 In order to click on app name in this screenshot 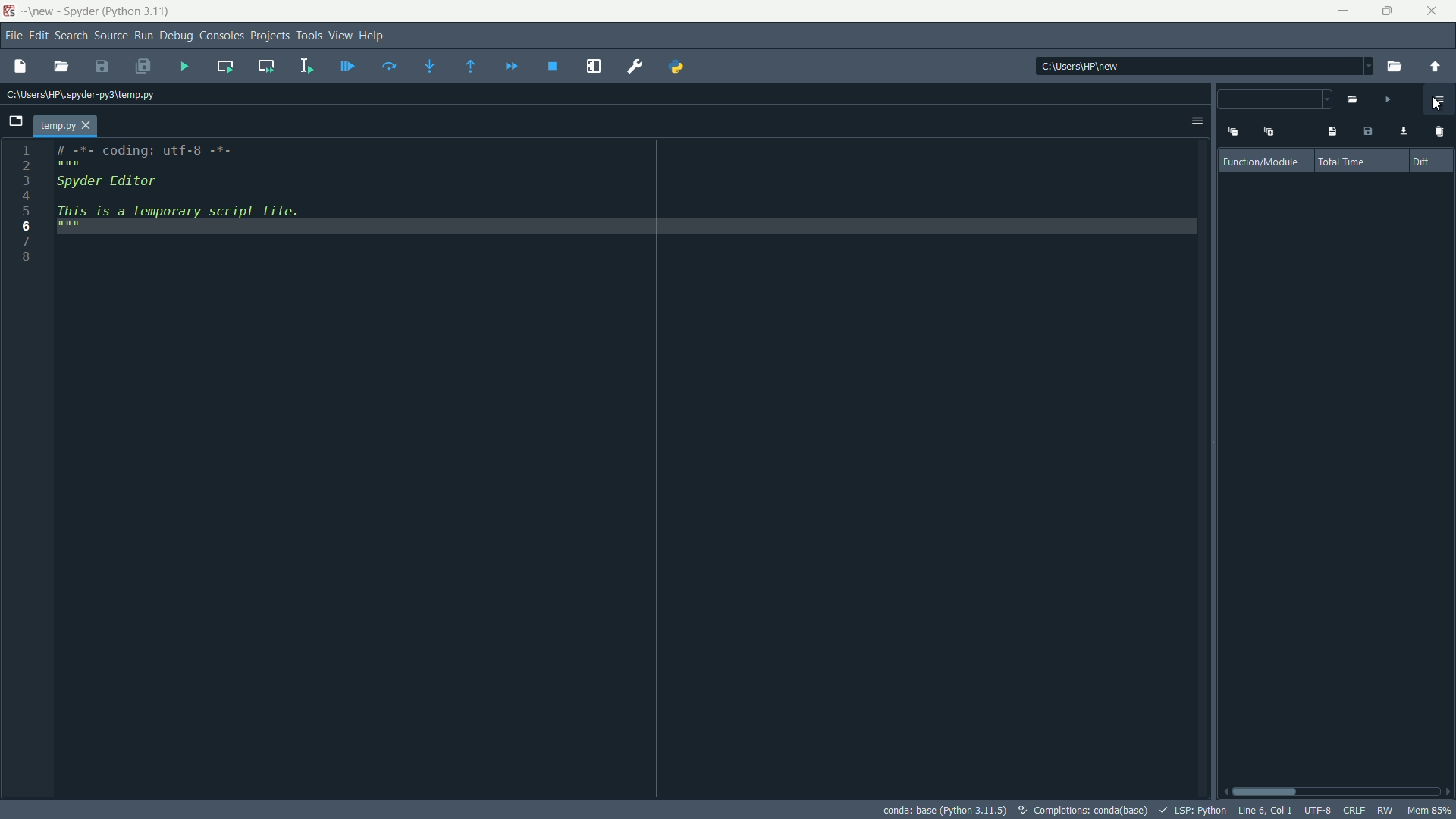, I will do `click(80, 11)`.